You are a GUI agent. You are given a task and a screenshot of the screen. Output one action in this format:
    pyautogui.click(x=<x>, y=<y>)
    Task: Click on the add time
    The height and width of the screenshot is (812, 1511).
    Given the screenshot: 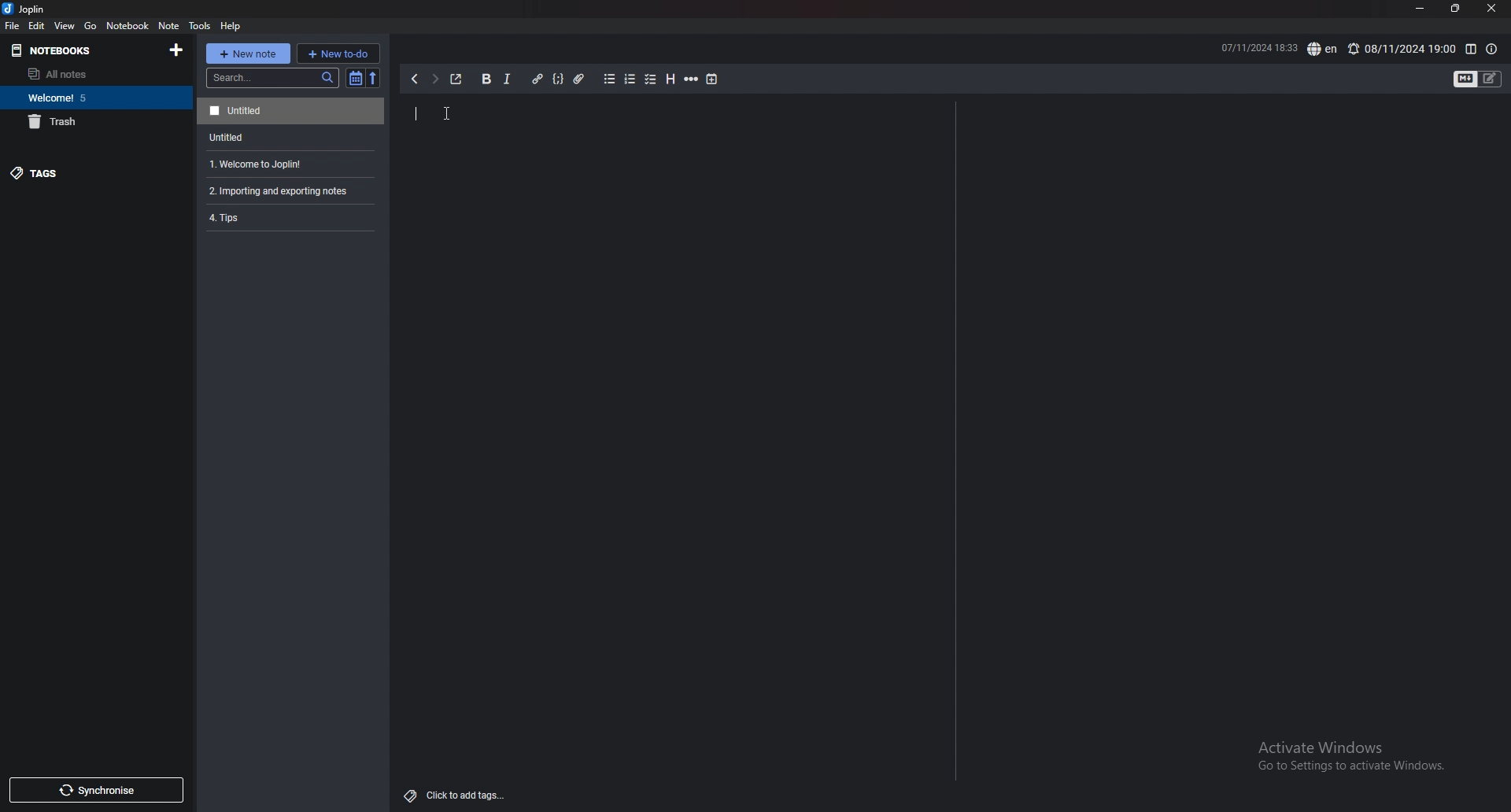 What is the action you would take?
    pyautogui.click(x=713, y=79)
    